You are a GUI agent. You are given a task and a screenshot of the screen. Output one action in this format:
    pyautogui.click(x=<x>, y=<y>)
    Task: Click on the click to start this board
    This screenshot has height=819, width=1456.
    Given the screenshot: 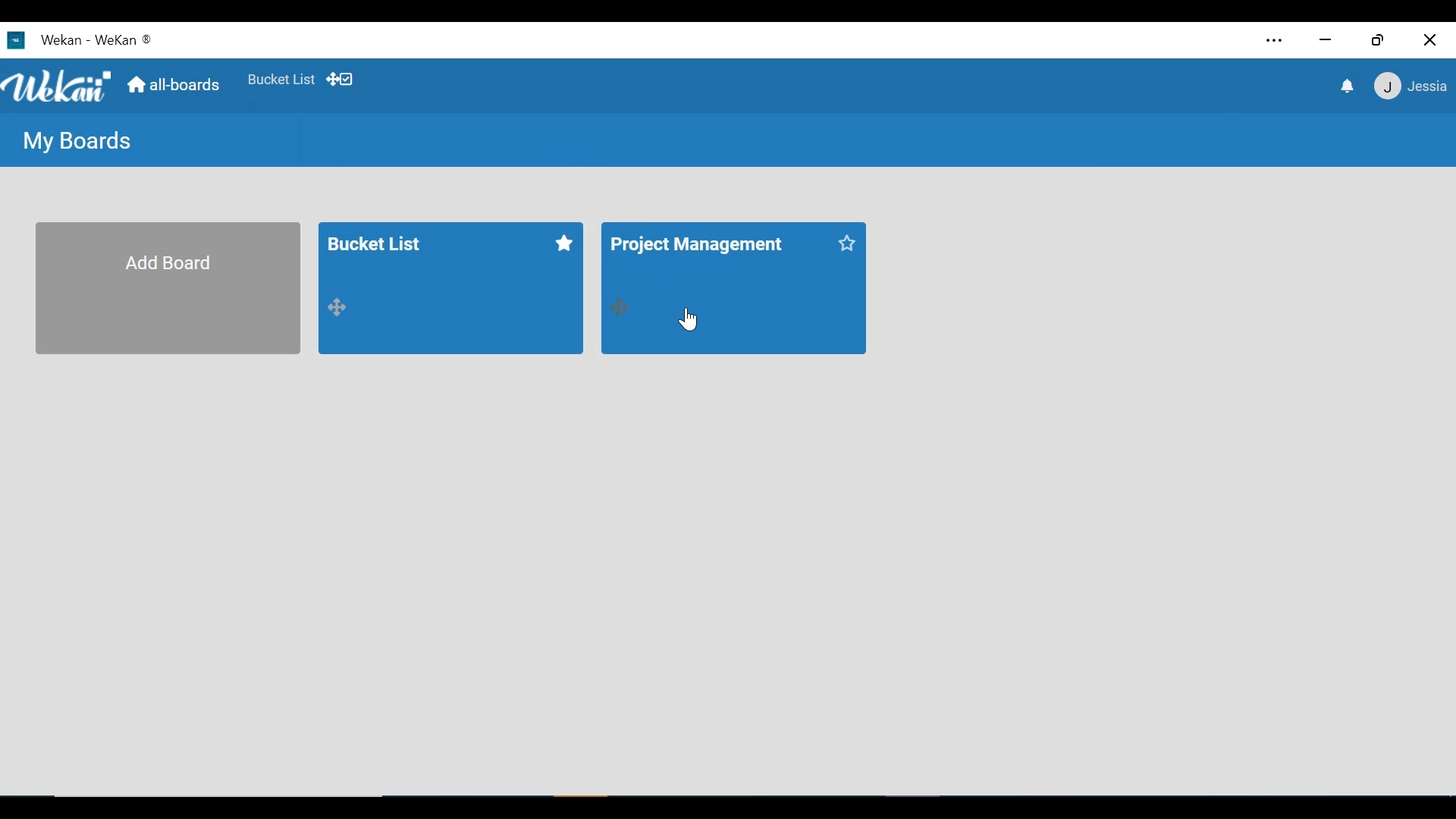 What is the action you would take?
    pyautogui.click(x=564, y=242)
    